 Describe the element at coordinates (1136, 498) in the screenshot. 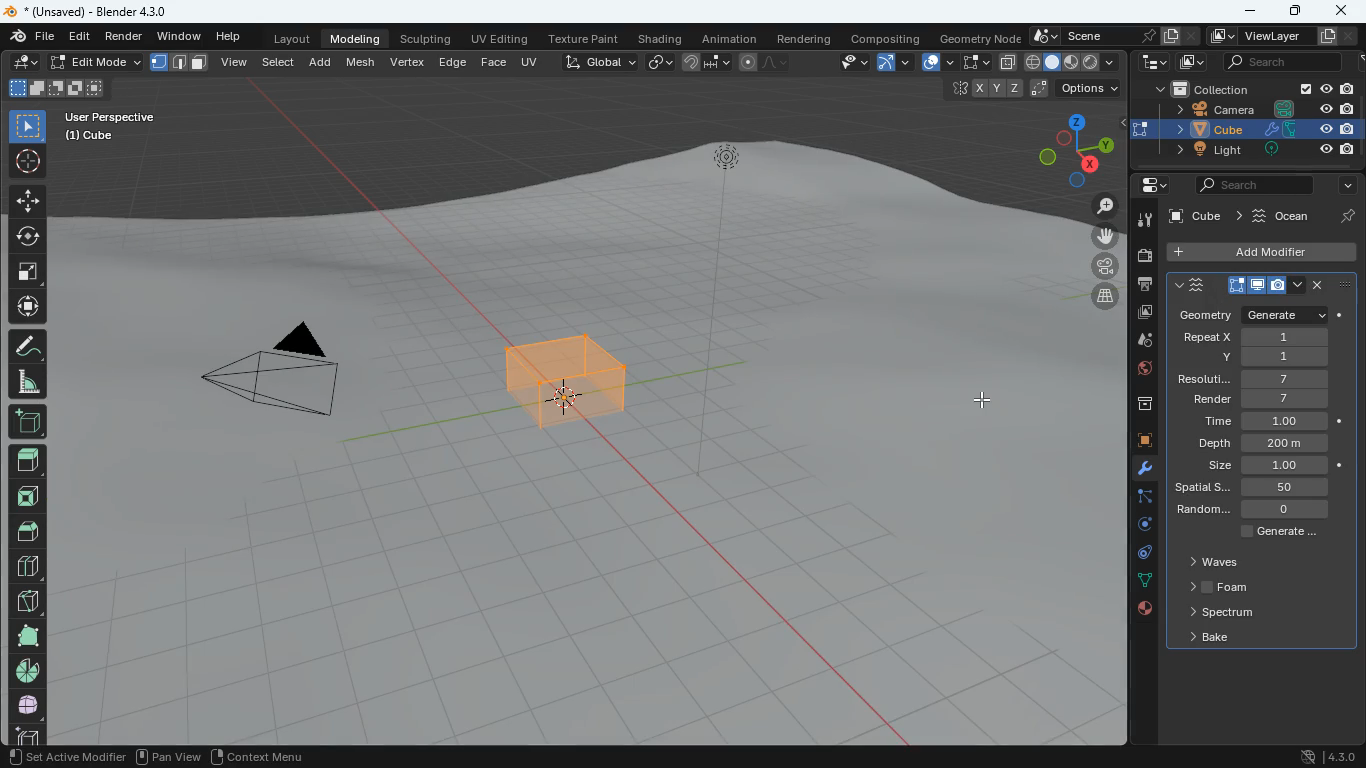

I see `edge` at that location.